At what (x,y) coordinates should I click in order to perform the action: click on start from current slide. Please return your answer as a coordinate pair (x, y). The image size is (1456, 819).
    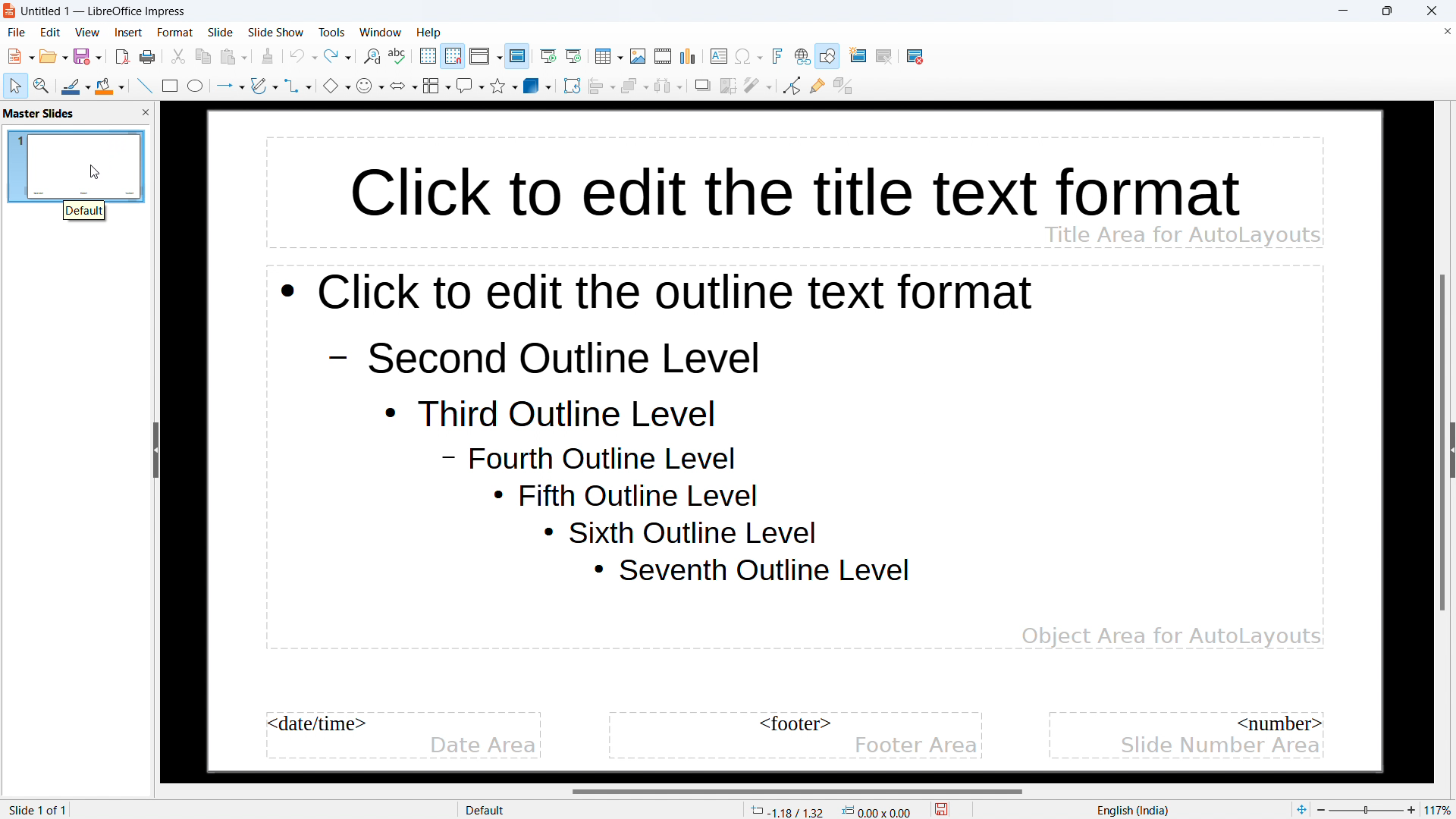
    Looking at the image, I should click on (574, 56).